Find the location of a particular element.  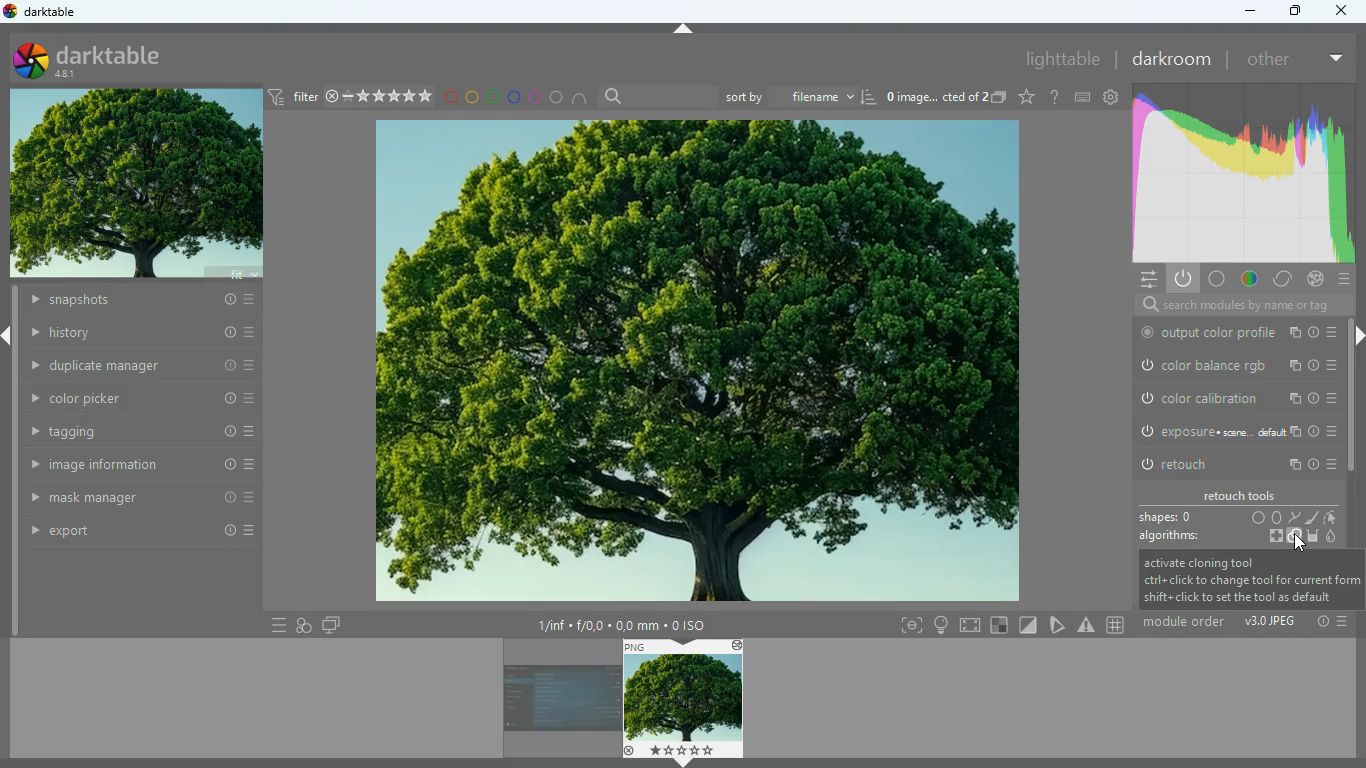

square is located at coordinates (1001, 624).